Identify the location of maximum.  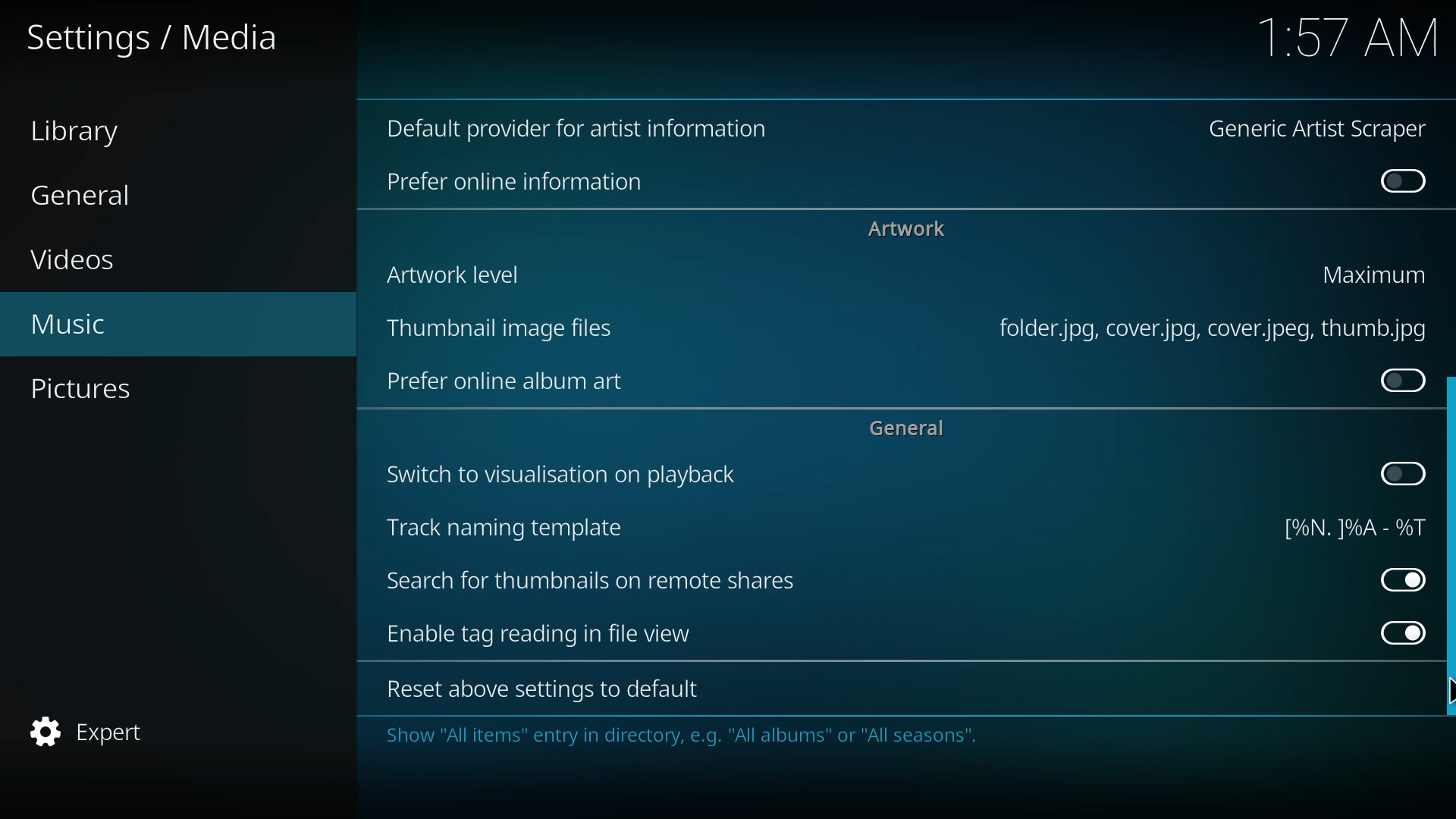
(1376, 274).